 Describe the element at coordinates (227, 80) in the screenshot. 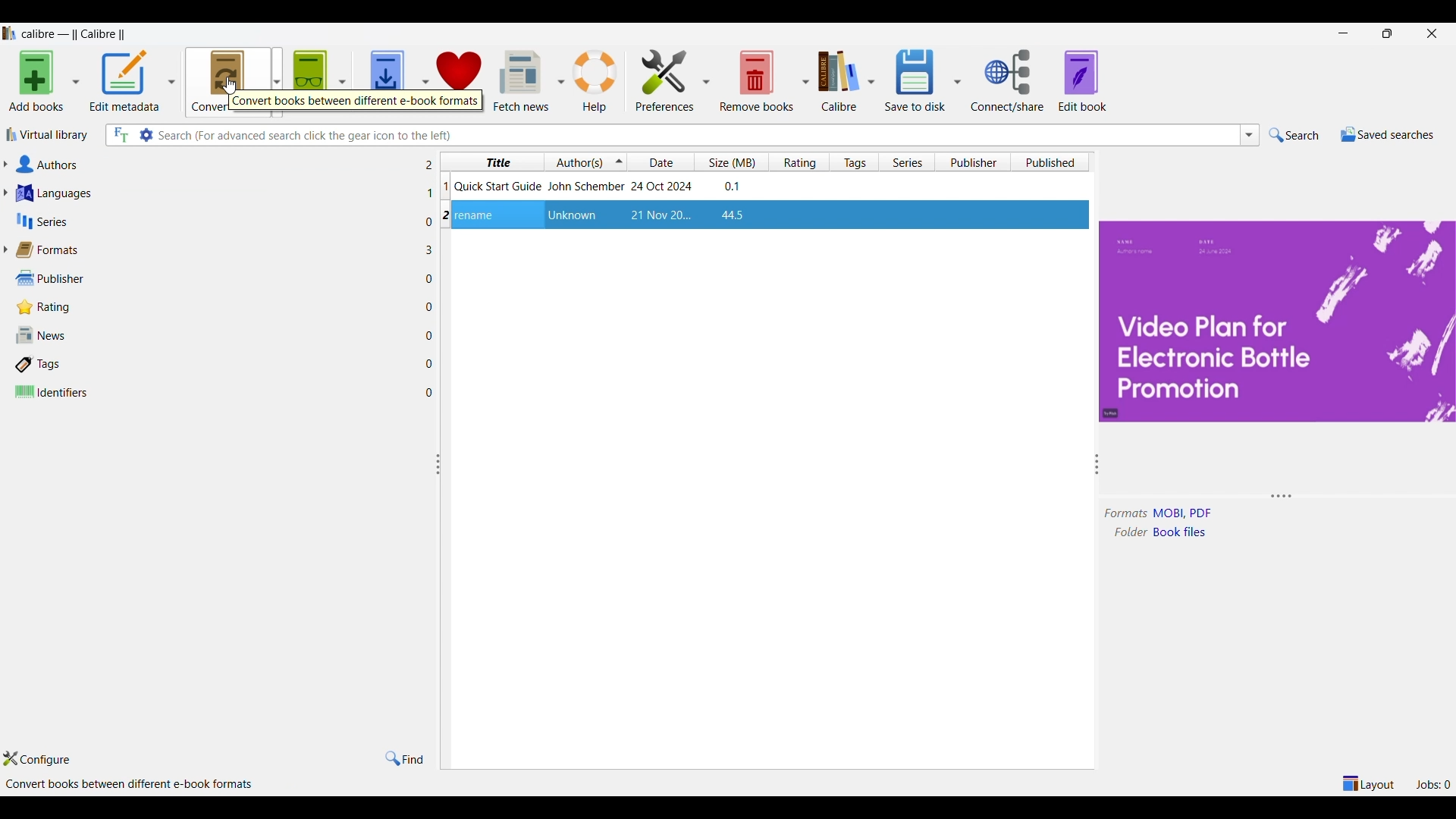

I see `Convert books` at that location.